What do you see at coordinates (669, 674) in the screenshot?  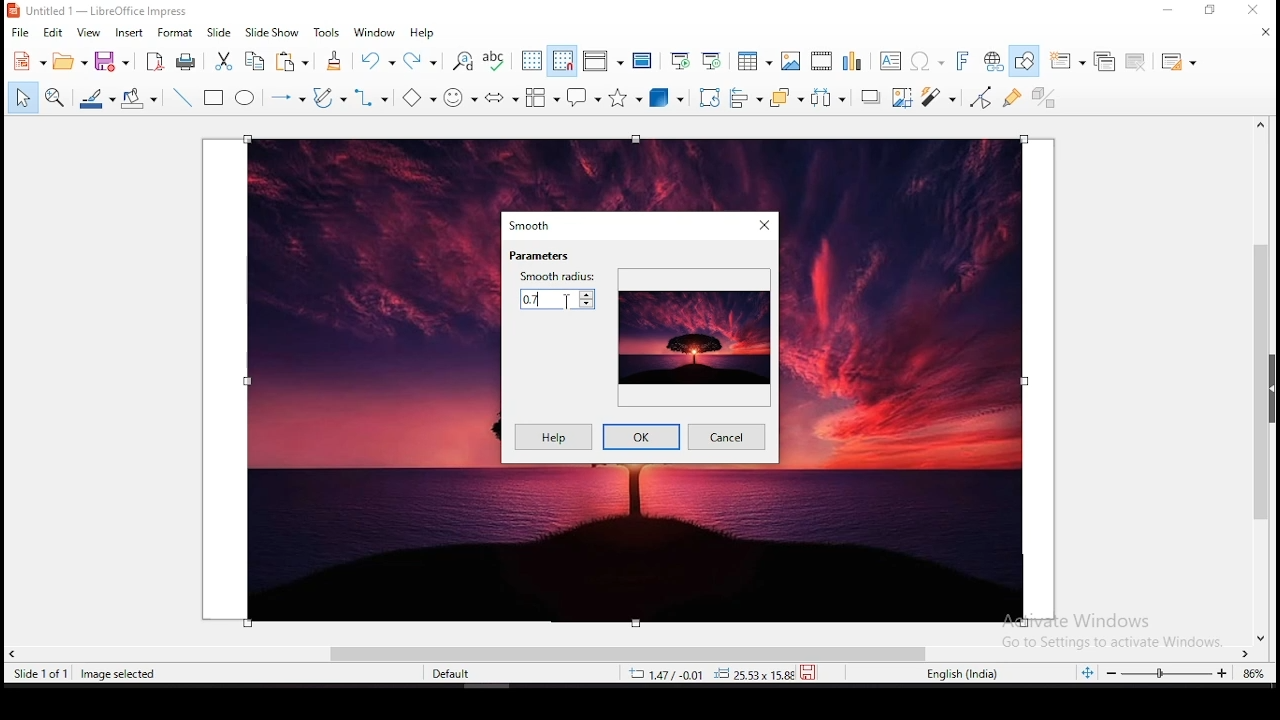 I see `12.40/4.25` at bounding box center [669, 674].